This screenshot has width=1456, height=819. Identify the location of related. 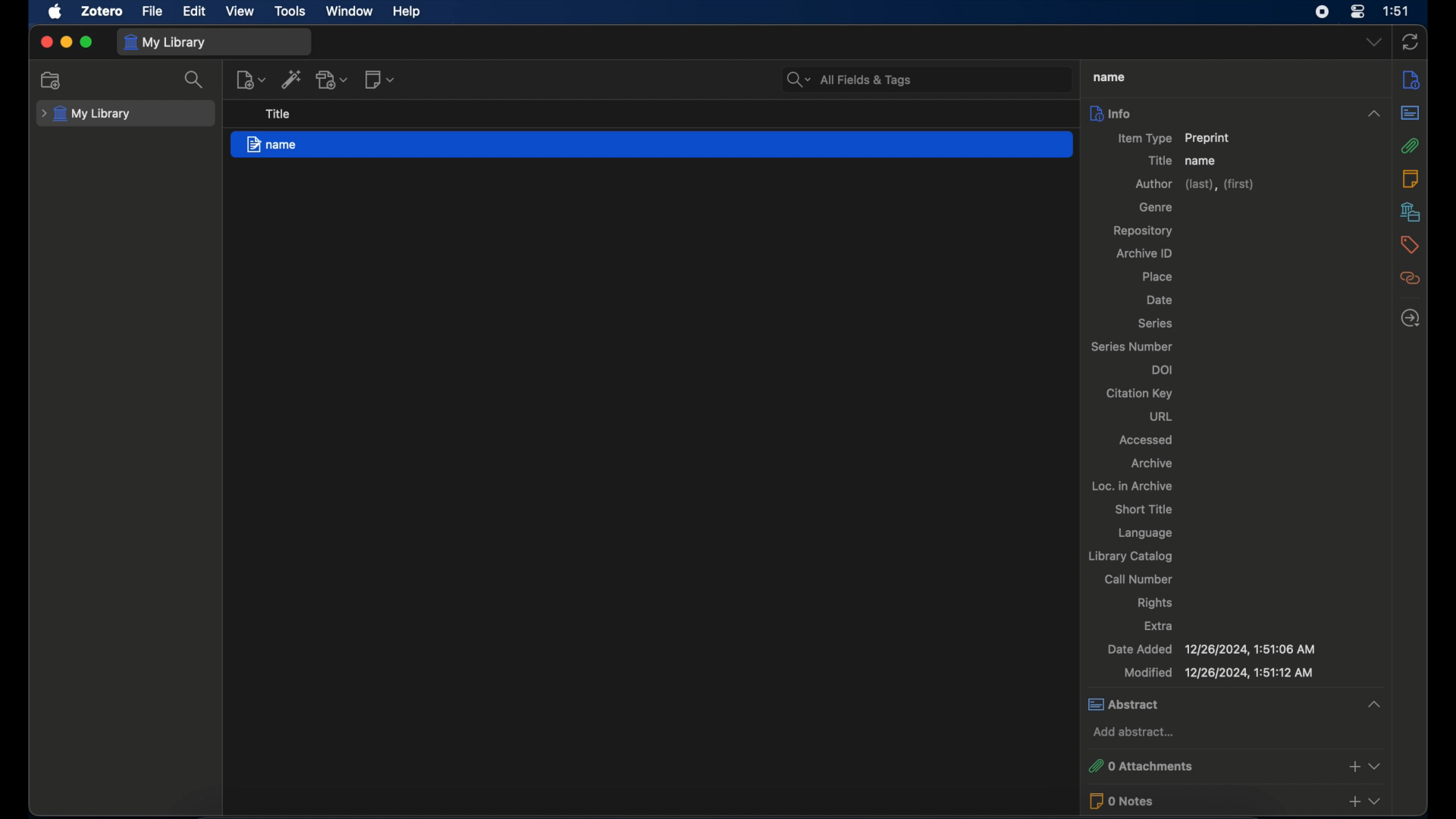
(1410, 278).